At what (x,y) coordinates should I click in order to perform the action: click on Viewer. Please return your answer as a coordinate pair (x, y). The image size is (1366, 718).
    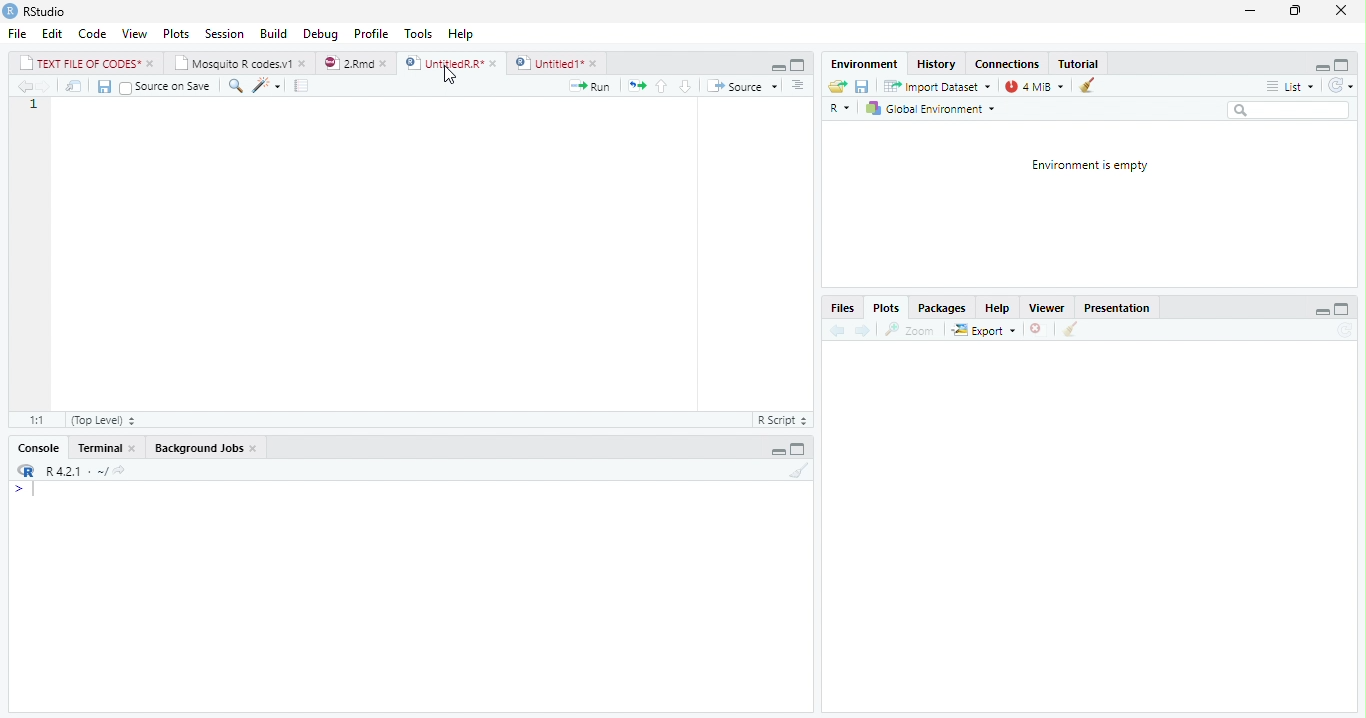
    Looking at the image, I should click on (1048, 308).